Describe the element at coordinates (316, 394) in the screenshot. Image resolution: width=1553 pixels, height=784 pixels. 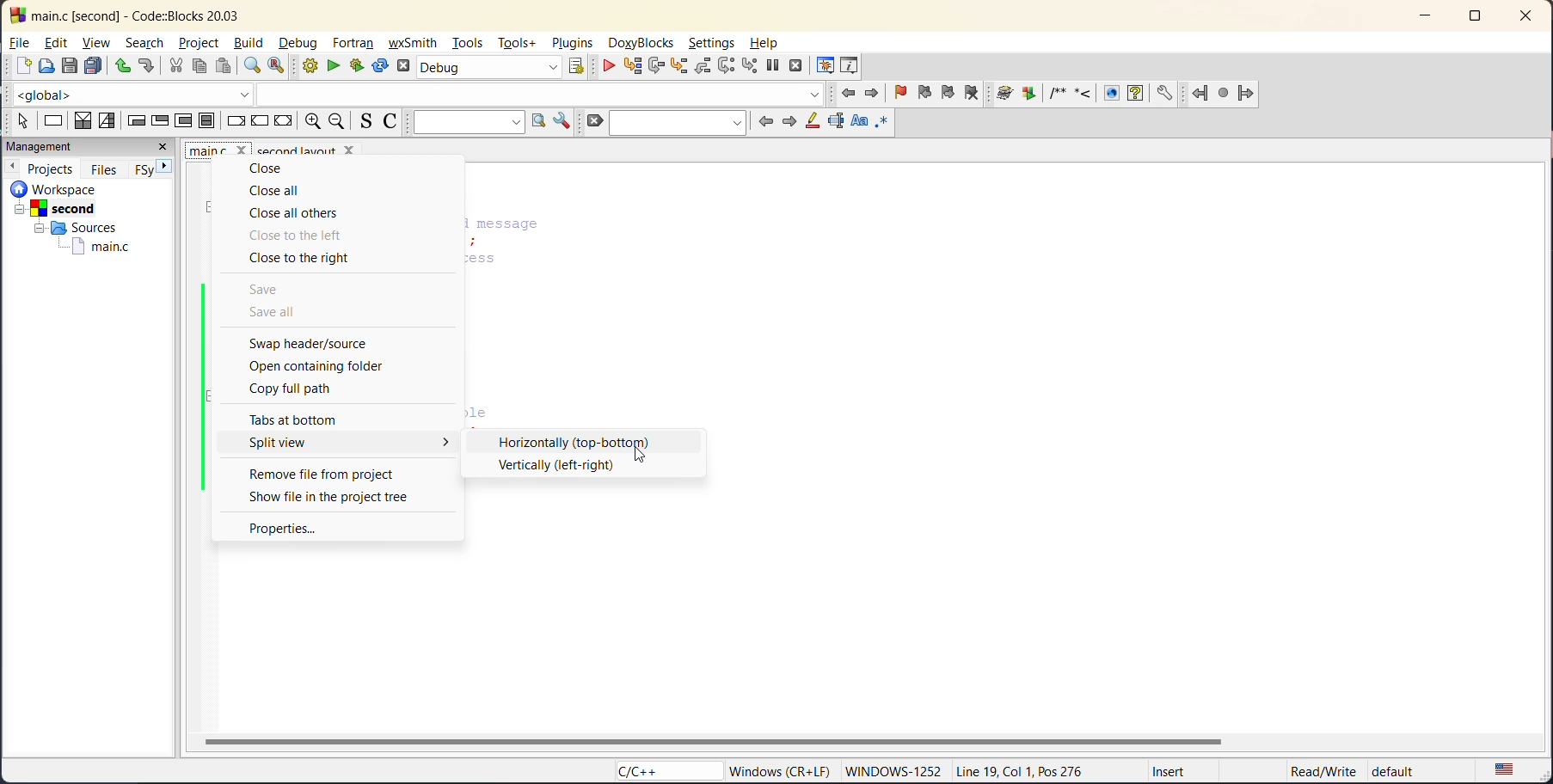
I see `copy full path` at that location.